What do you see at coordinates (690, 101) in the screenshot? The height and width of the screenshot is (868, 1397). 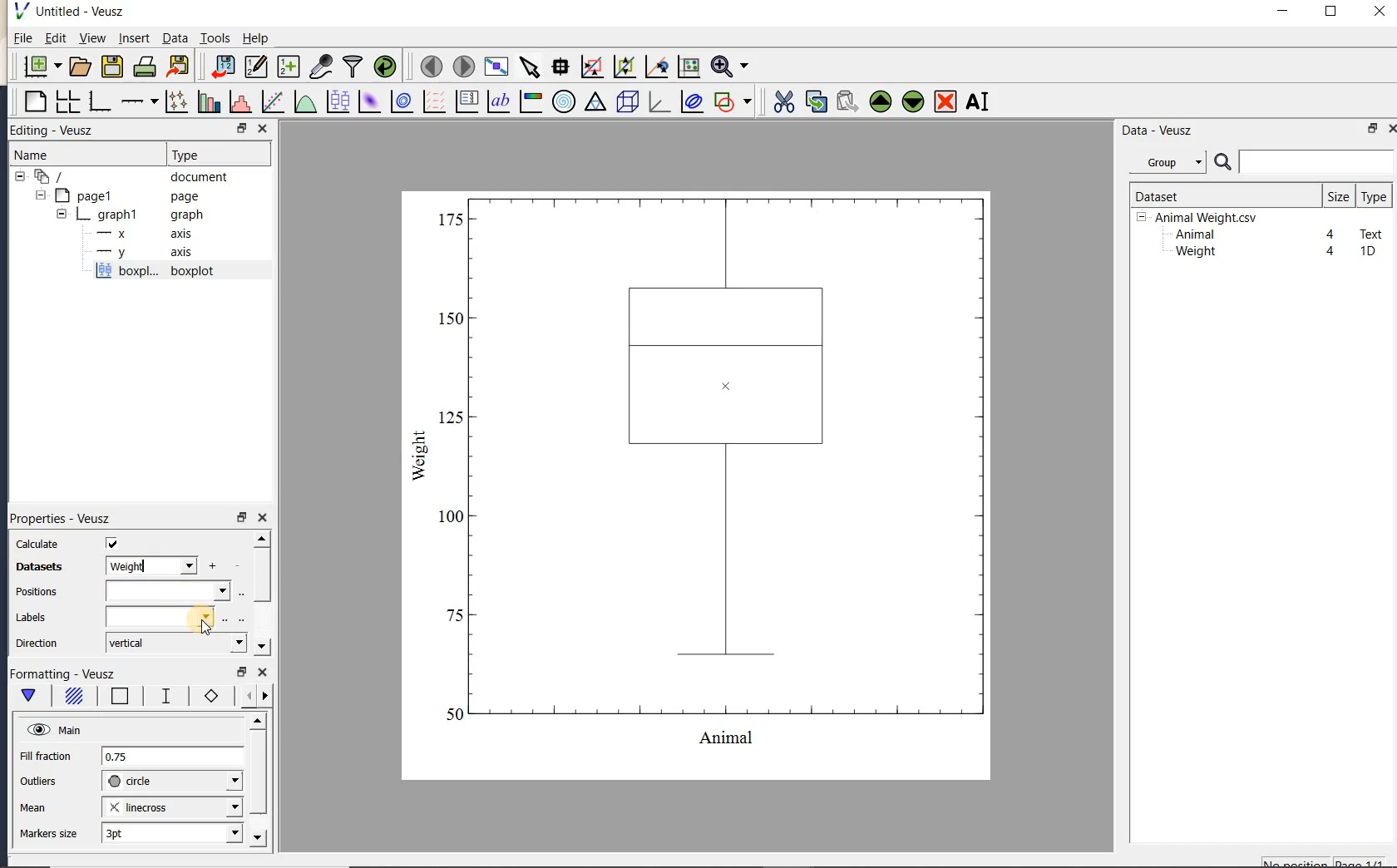 I see `plot covariance ellipses` at bounding box center [690, 101].